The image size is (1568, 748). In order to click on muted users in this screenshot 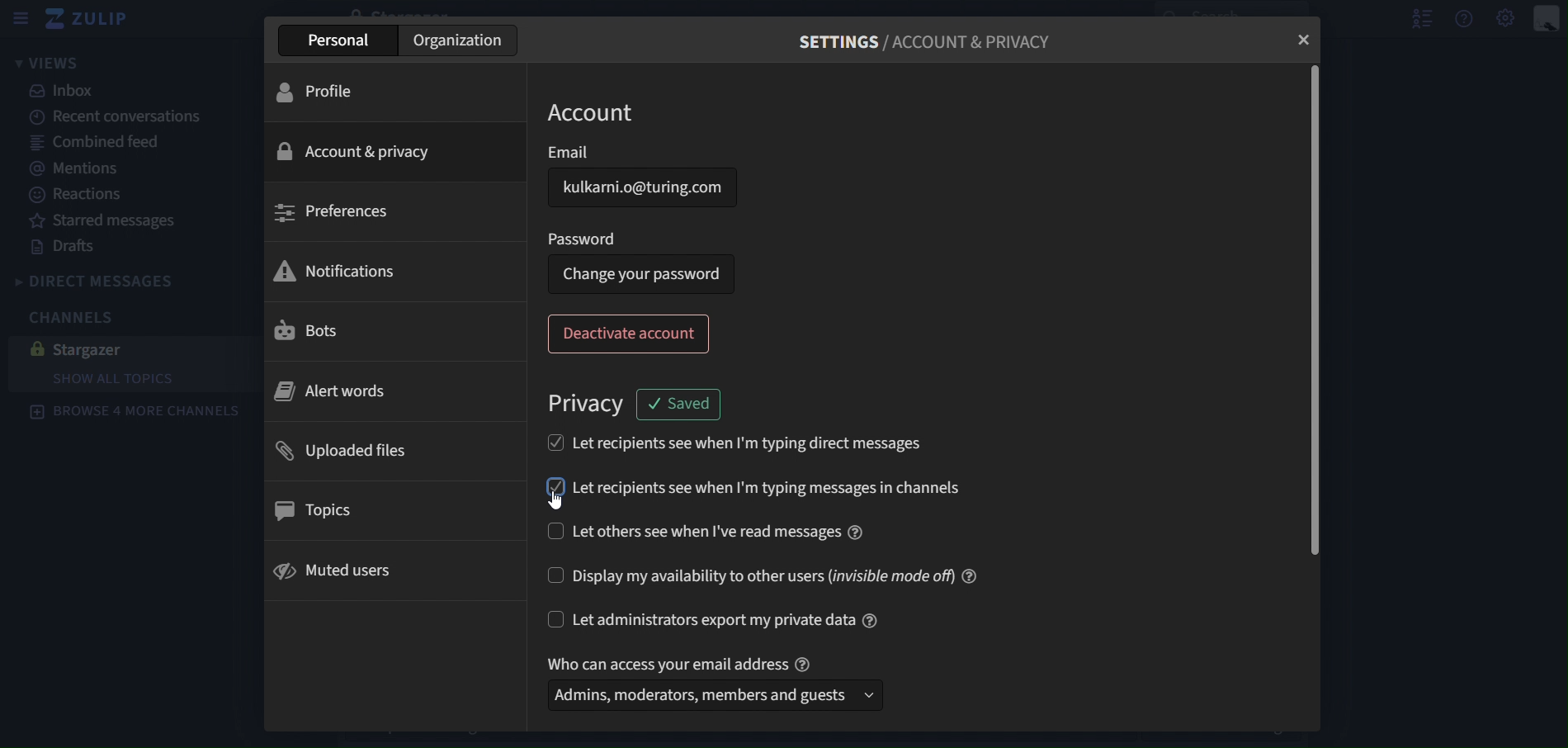, I will do `click(333, 570)`.